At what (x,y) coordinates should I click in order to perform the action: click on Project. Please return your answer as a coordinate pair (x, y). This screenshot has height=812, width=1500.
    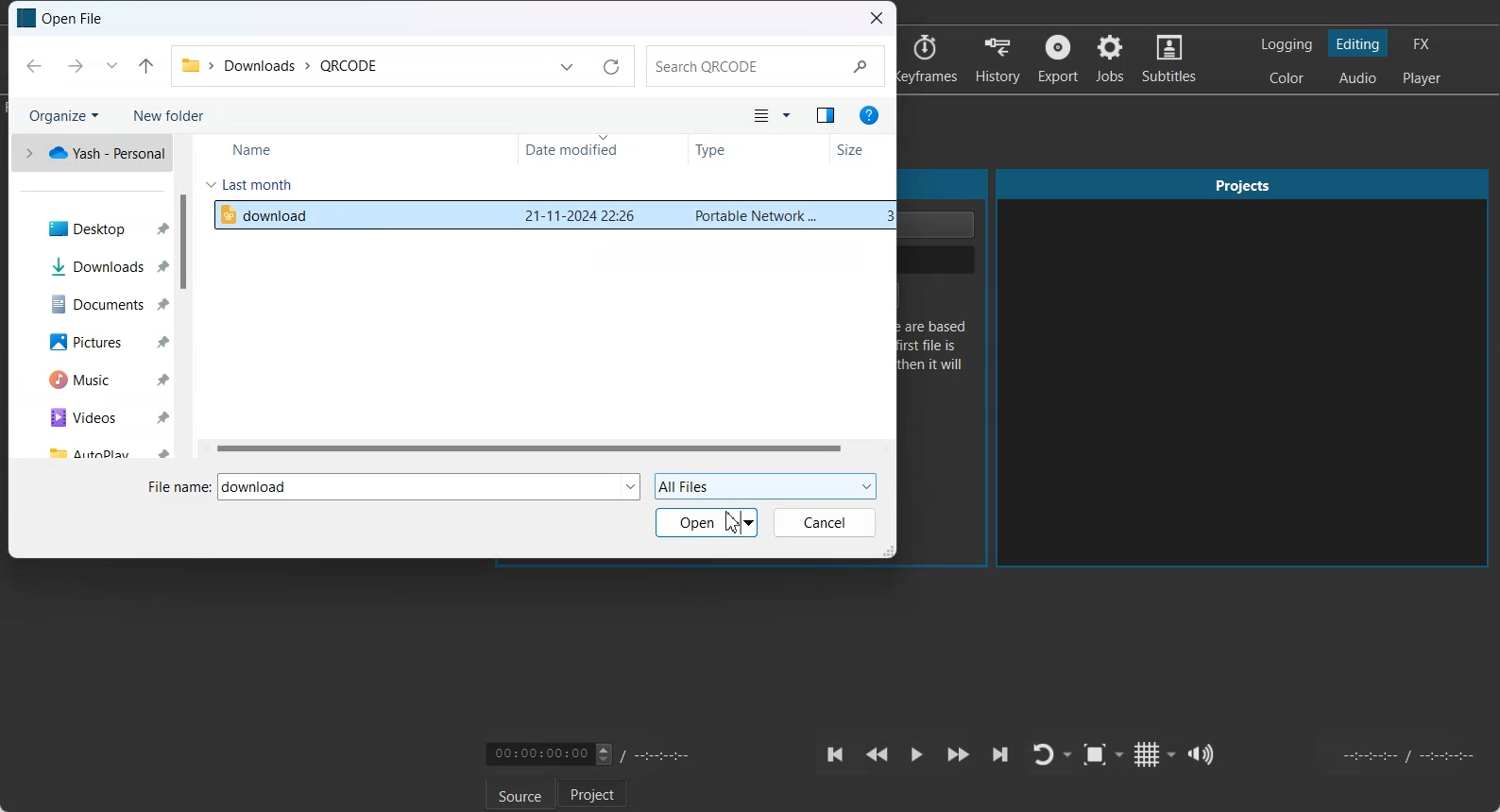
    Looking at the image, I should click on (594, 793).